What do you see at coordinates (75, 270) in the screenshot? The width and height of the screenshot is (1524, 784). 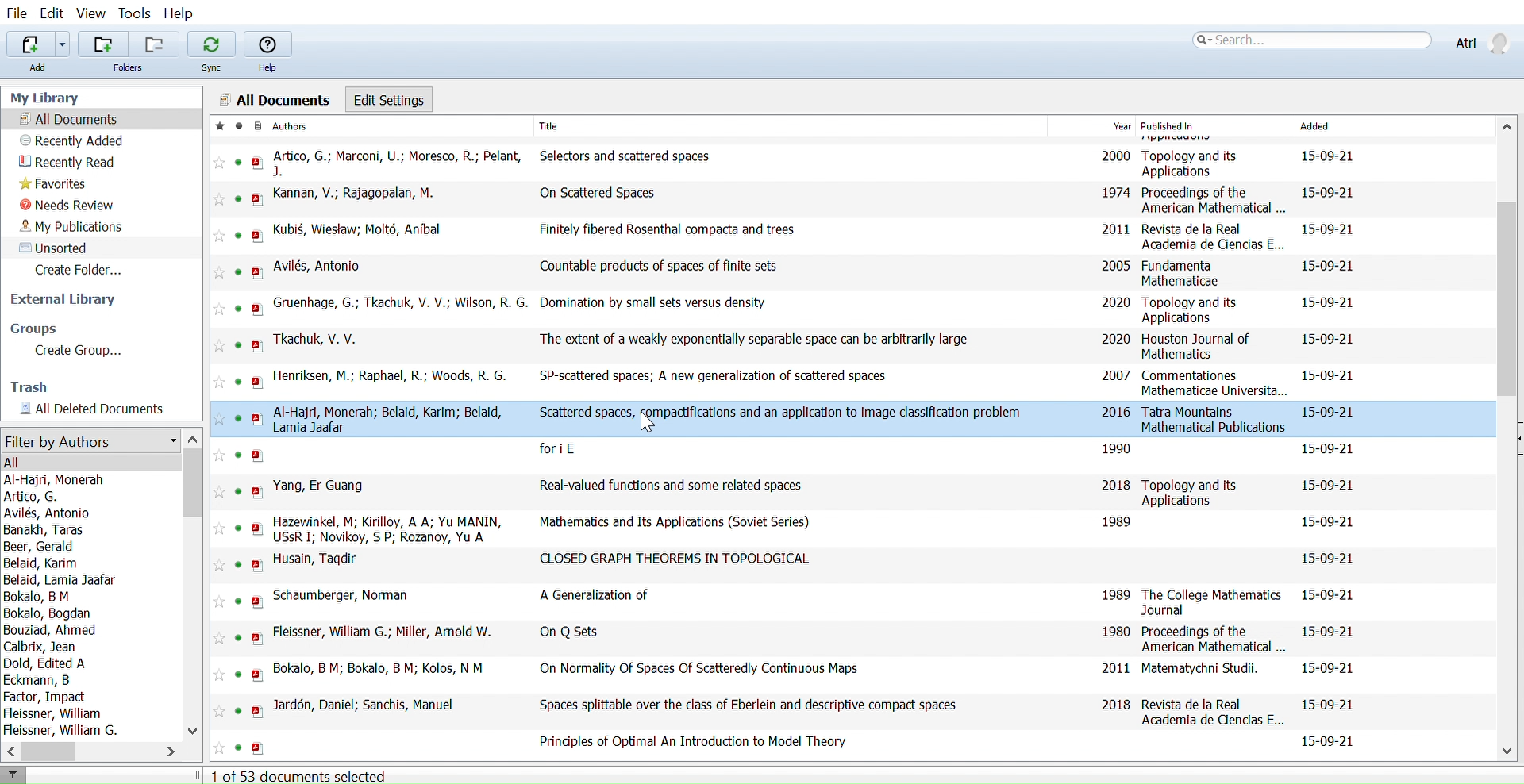 I see `Create folder` at bounding box center [75, 270].